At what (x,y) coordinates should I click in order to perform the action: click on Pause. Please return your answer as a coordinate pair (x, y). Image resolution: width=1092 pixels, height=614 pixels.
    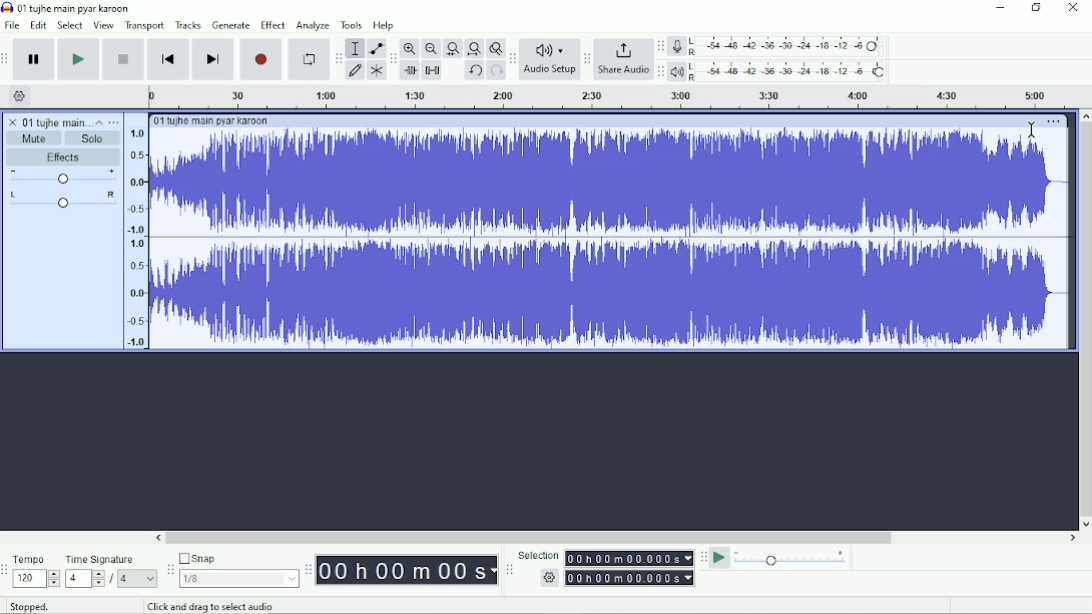
    Looking at the image, I should click on (34, 59).